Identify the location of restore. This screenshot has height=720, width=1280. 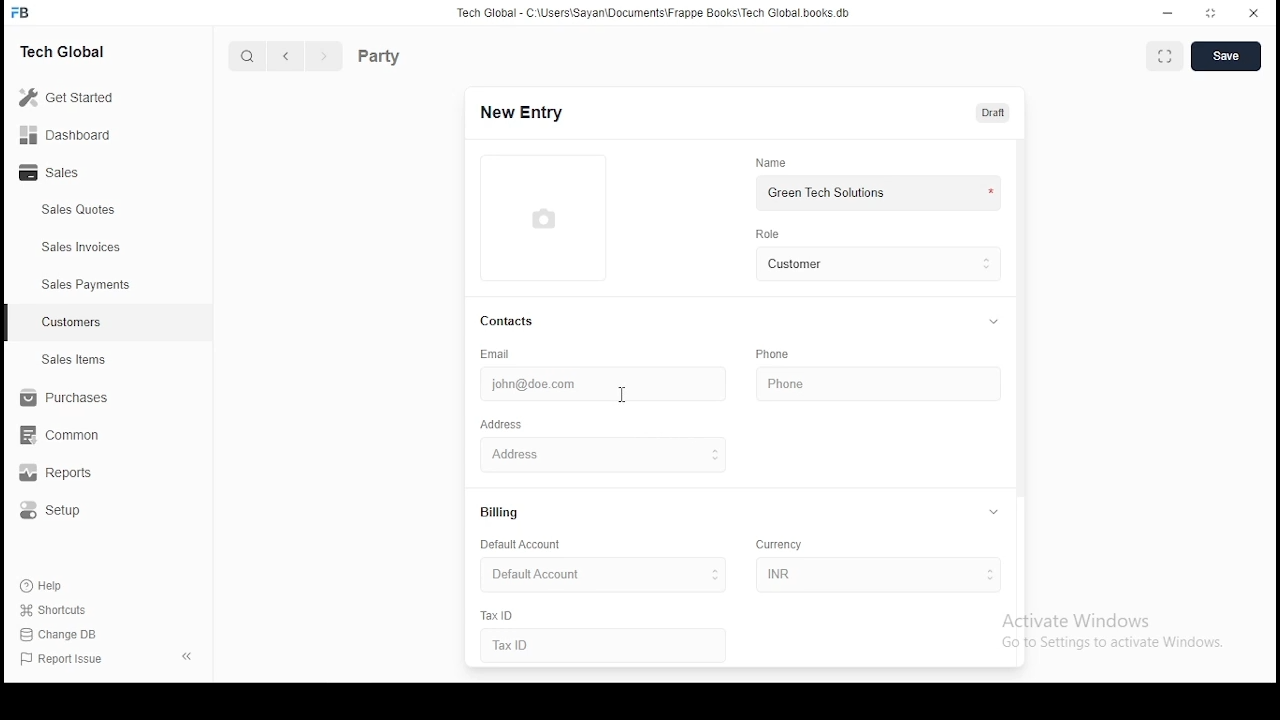
(1211, 12).